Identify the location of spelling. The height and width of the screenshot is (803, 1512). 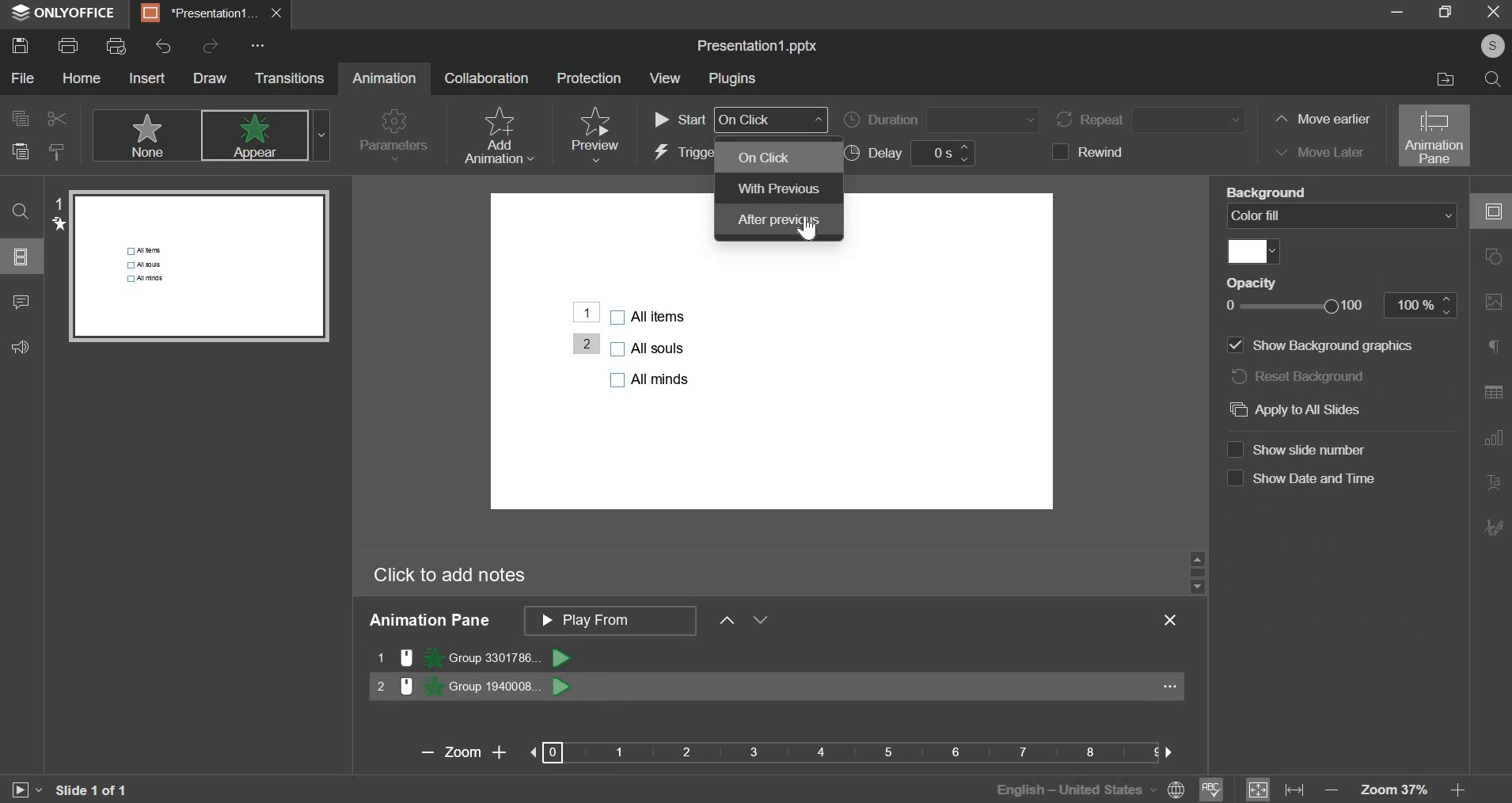
(1212, 787).